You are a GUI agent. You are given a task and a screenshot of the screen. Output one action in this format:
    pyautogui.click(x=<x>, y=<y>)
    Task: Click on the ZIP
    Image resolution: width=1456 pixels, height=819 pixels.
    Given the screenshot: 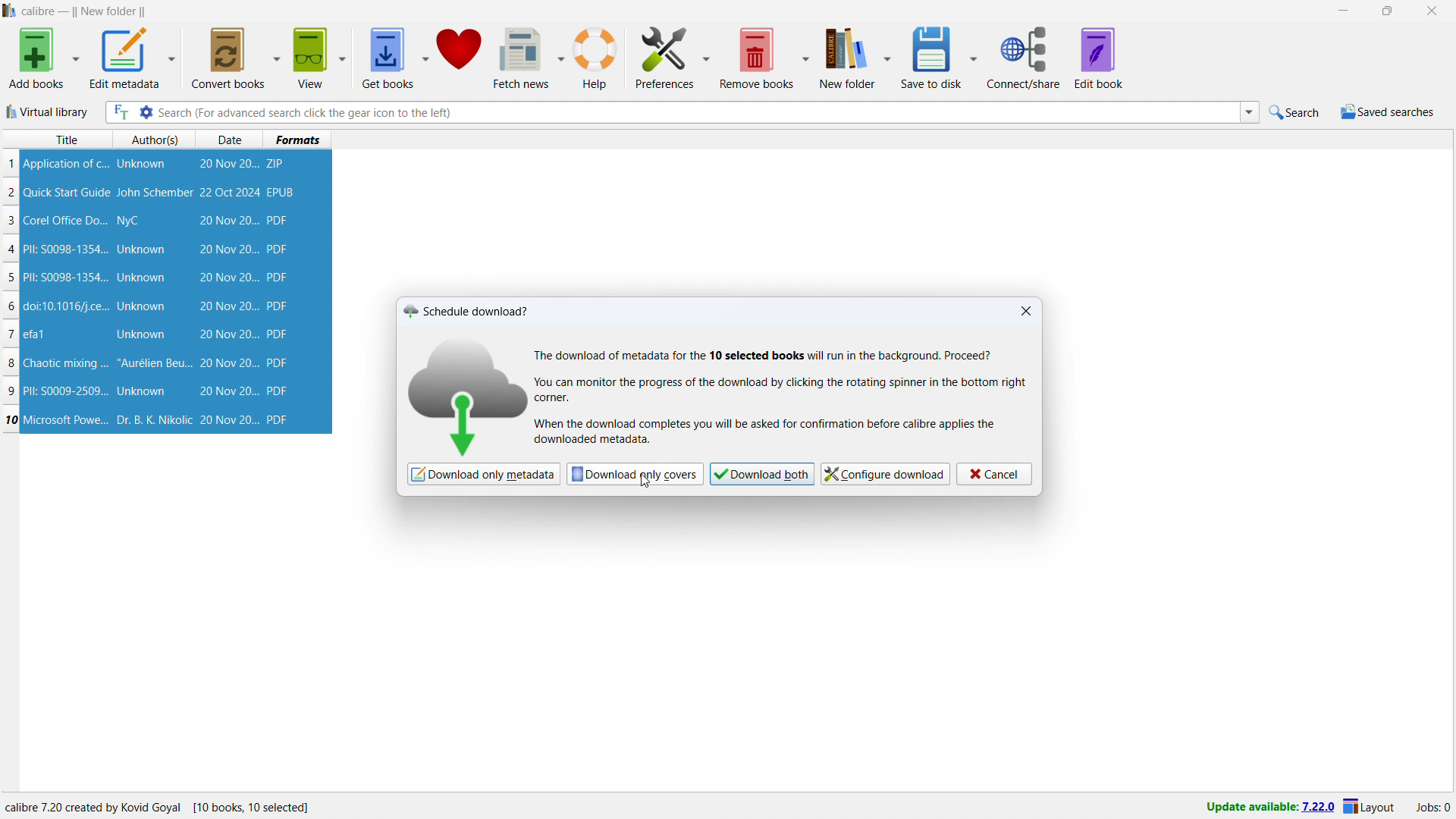 What is the action you would take?
    pyautogui.click(x=278, y=164)
    